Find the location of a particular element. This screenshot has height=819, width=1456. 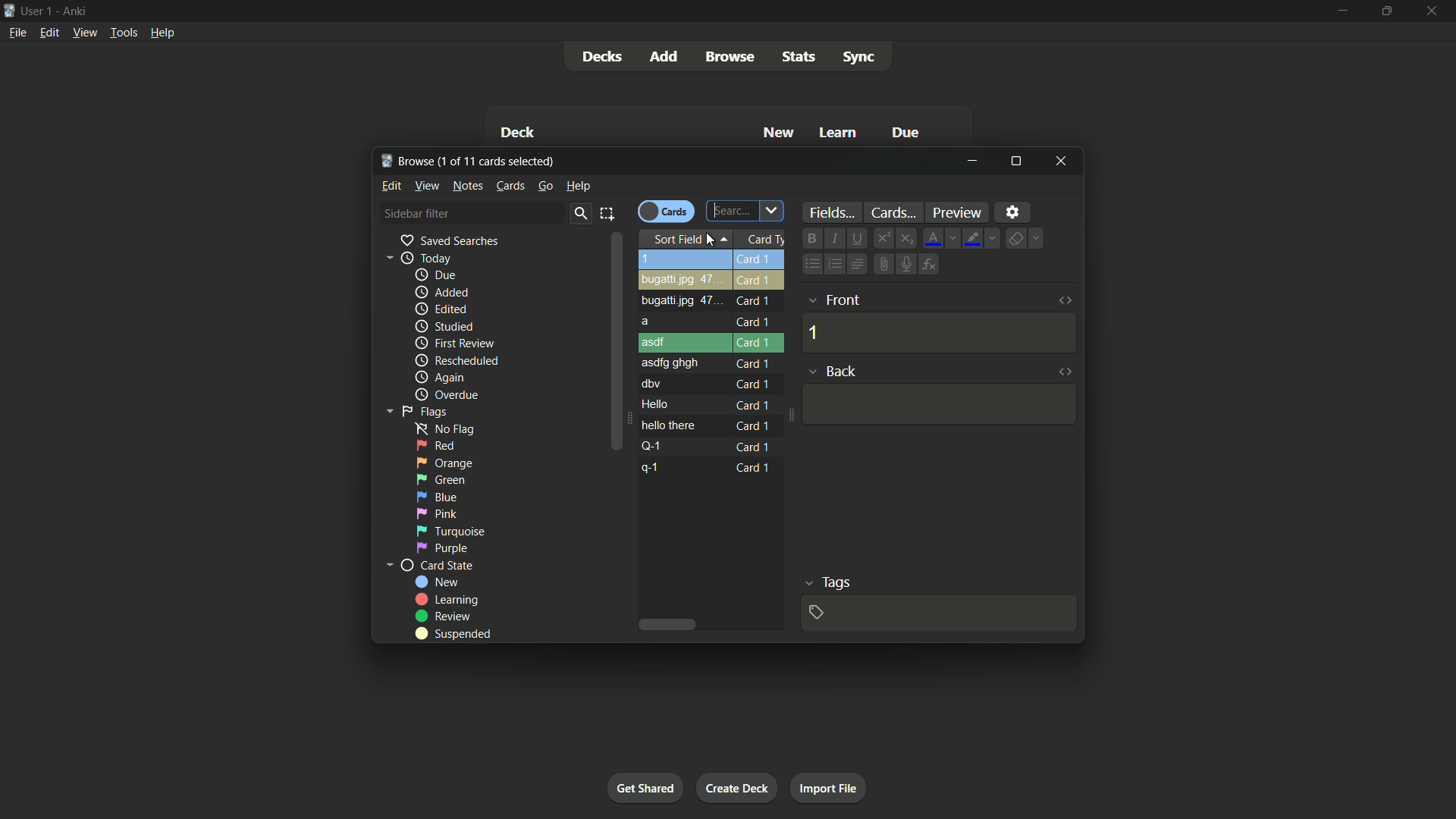

front is located at coordinates (844, 300).